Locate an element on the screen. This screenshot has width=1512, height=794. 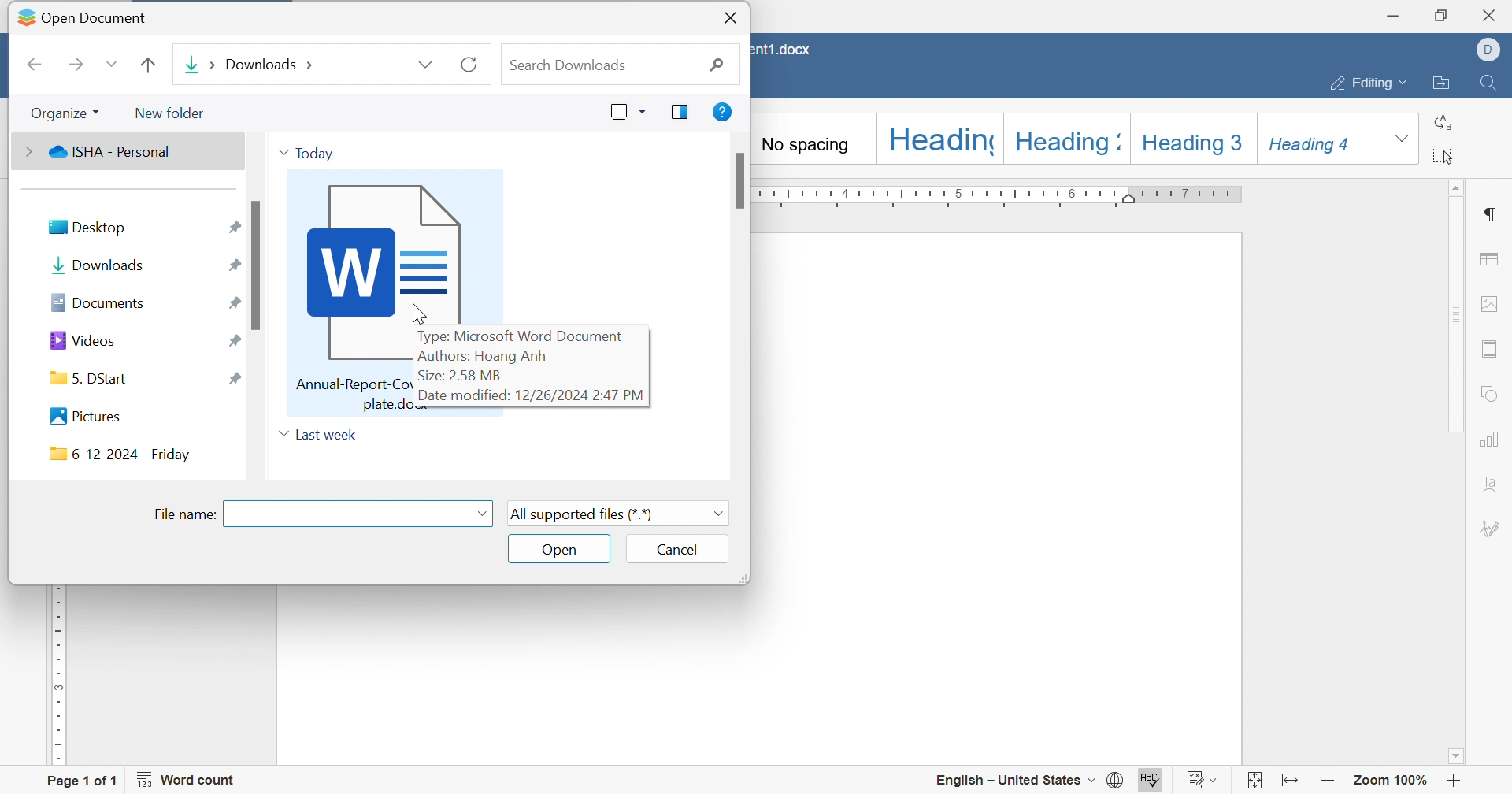
open document is located at coordinates (75, 15).